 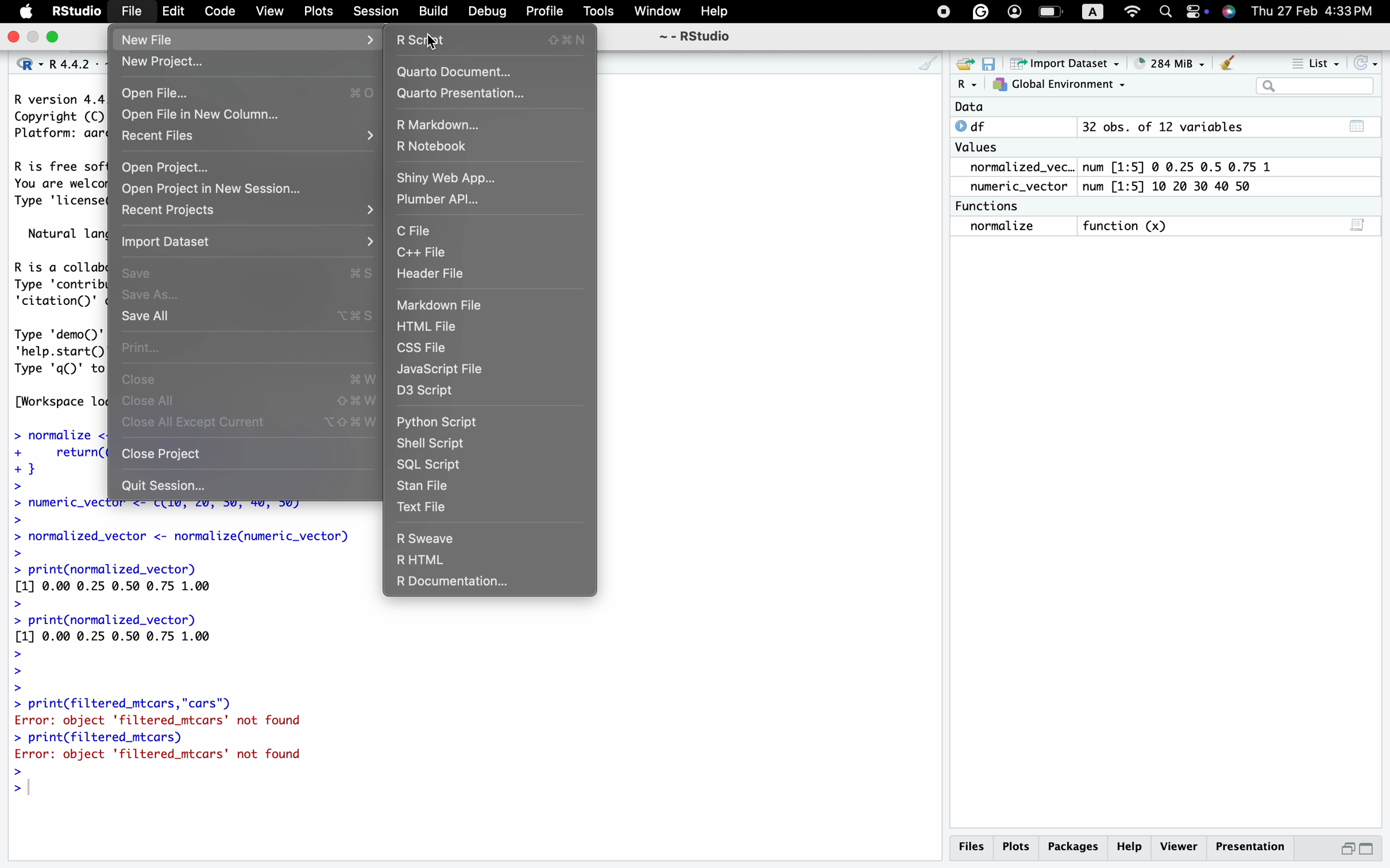 What do you see at coordinates (1317, 63) in the screenshot?
I see `List ` at bounding box center [1317, 63].